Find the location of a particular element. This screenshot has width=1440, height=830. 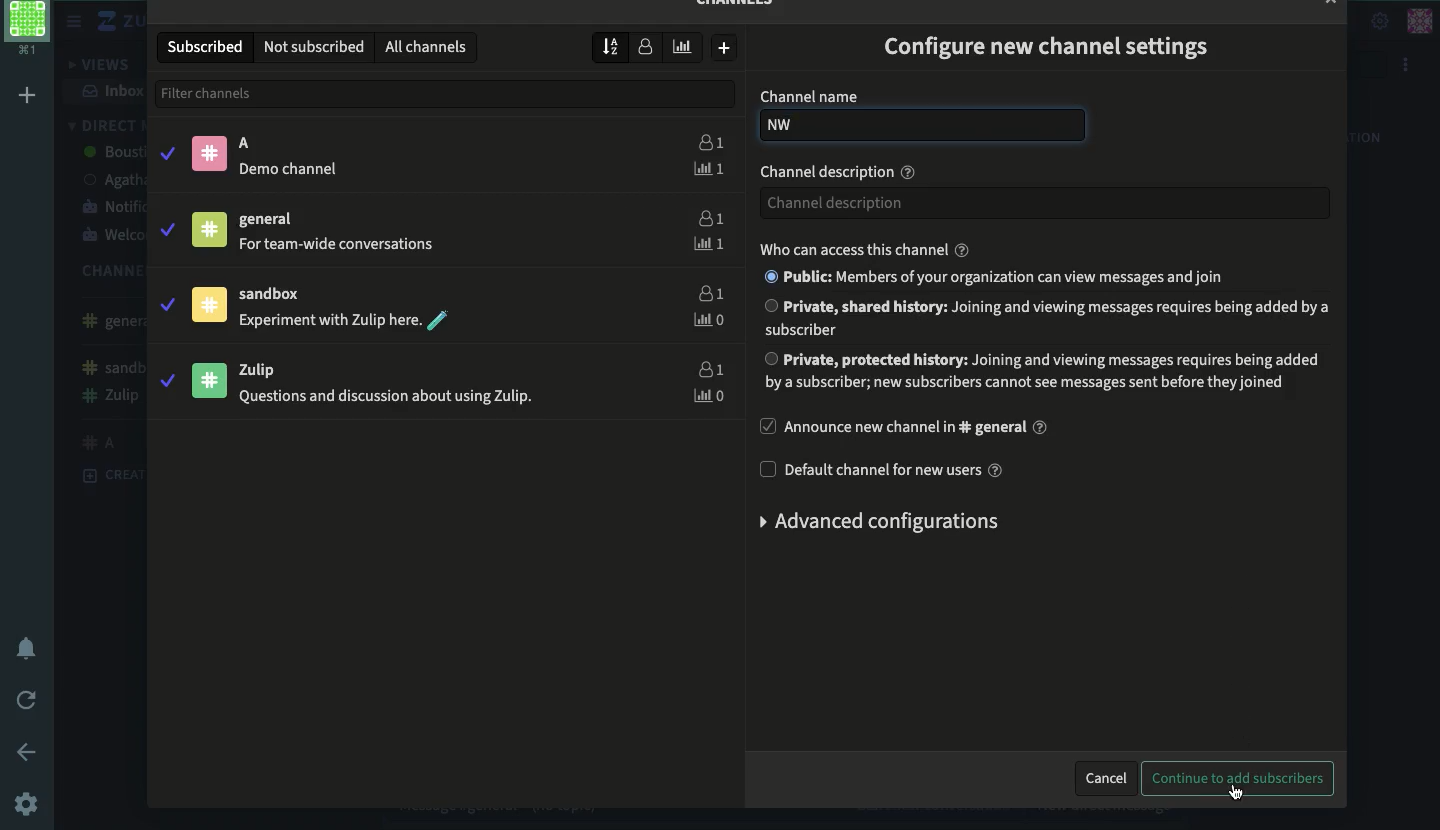

number of subscribers is located at coordinates (645, 46).